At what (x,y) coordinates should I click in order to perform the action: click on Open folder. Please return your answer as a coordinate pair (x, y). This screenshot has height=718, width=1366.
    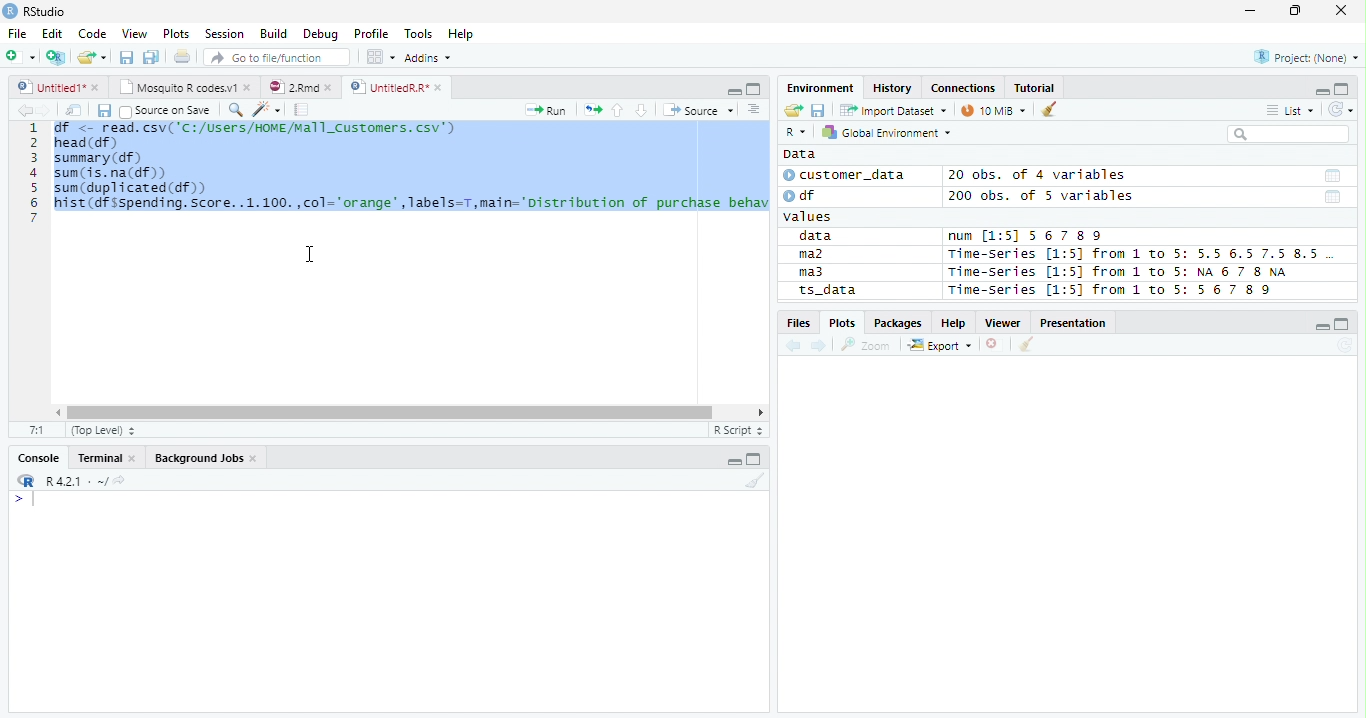
    Looking at the image, I should click on (791, 111).